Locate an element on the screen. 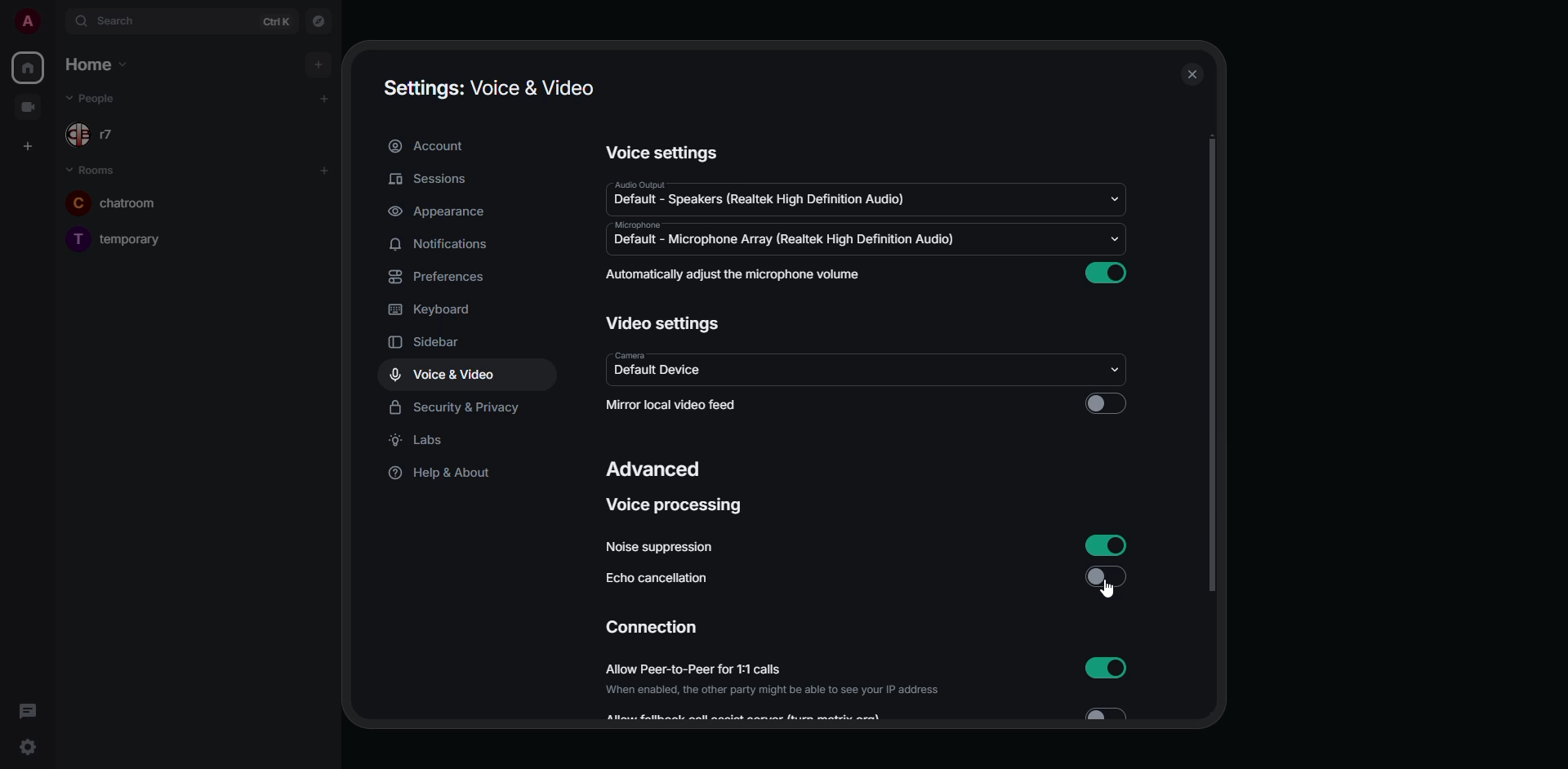 This screenshot has height=769, width=1568. search is located at coordinates (121, 21).